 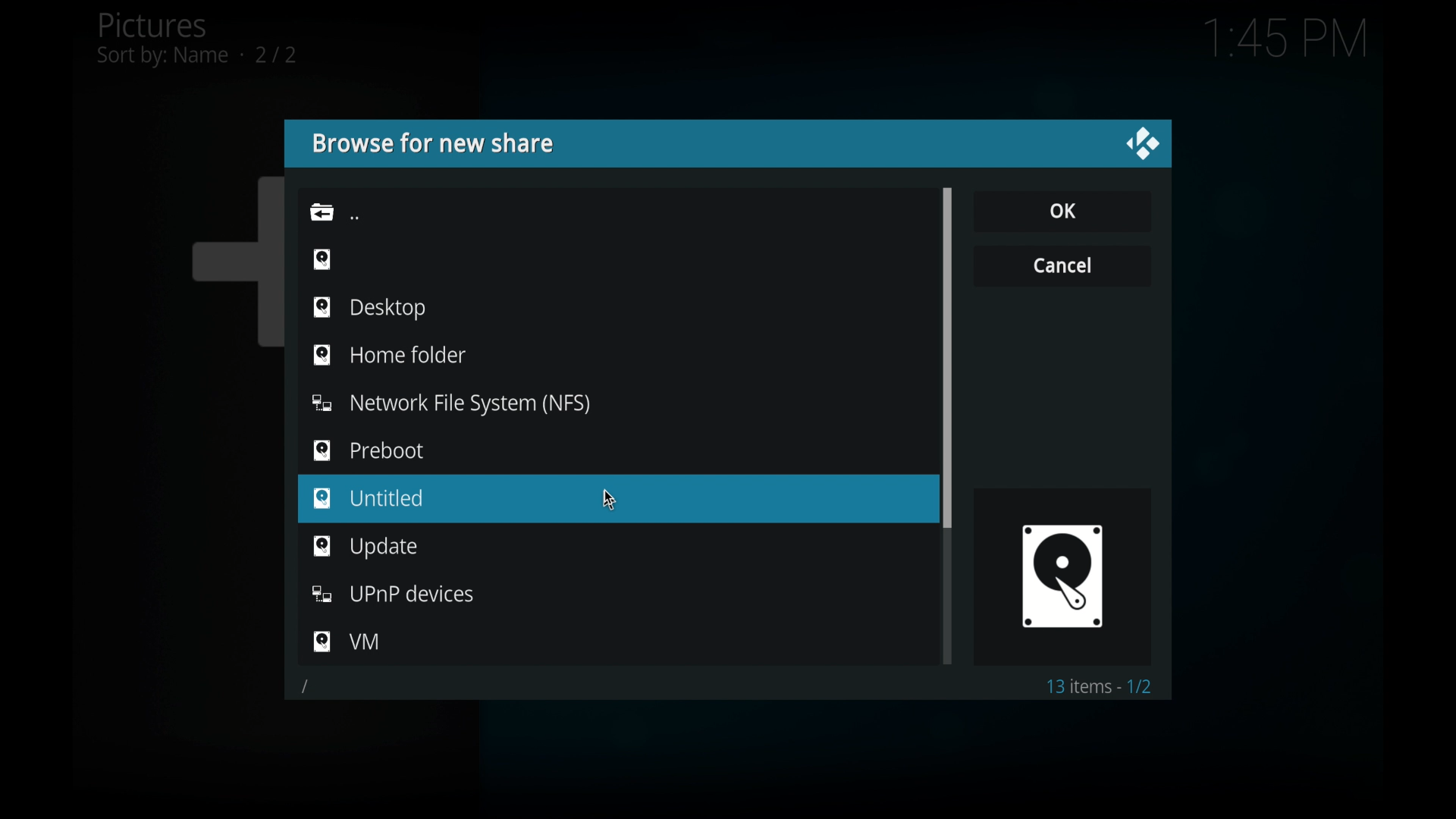 I want to click on 13 items, so click(x=1097, y=686).